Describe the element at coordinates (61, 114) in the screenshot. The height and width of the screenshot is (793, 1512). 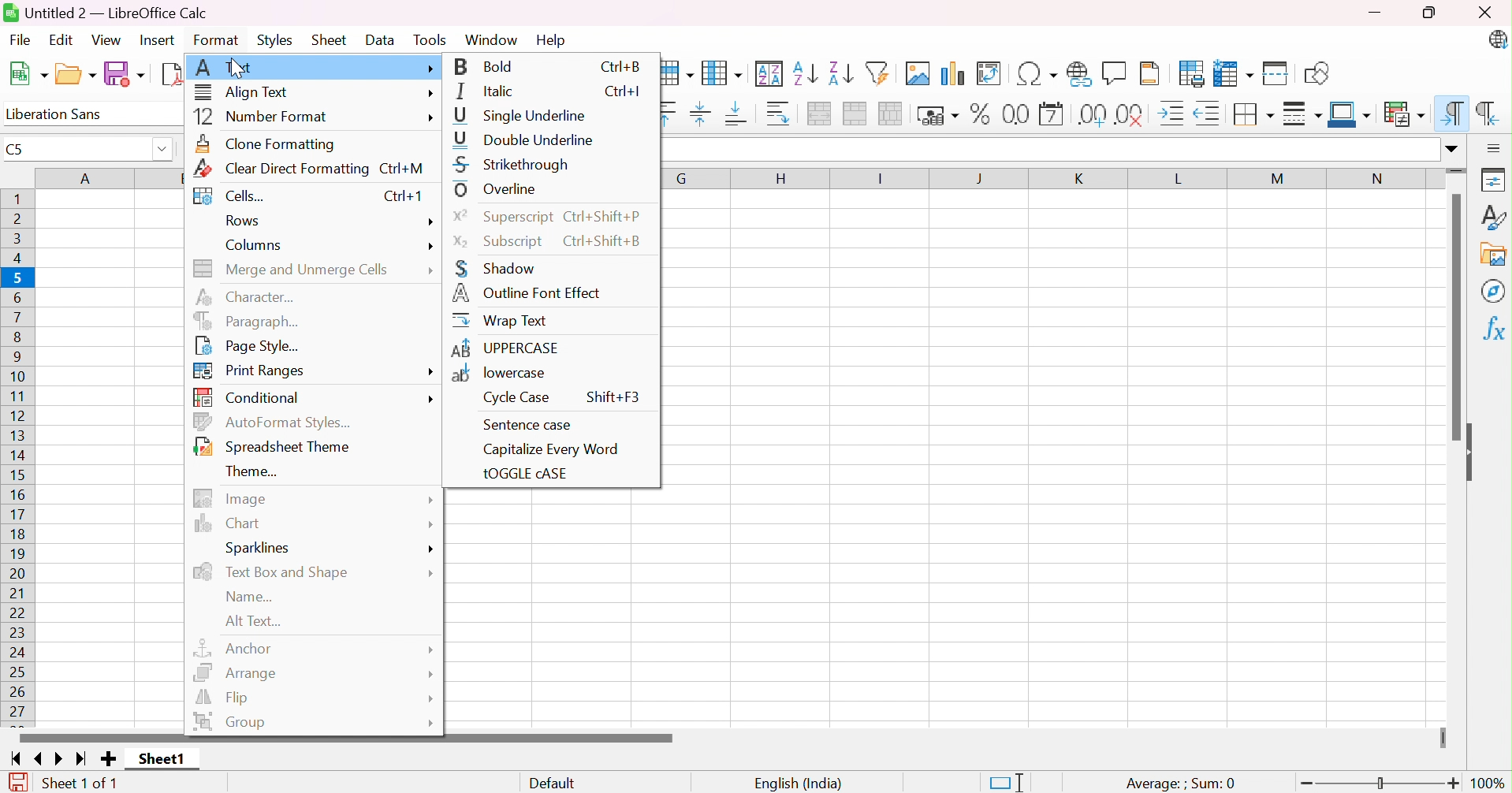
I see `Liberation Sans` at that location.